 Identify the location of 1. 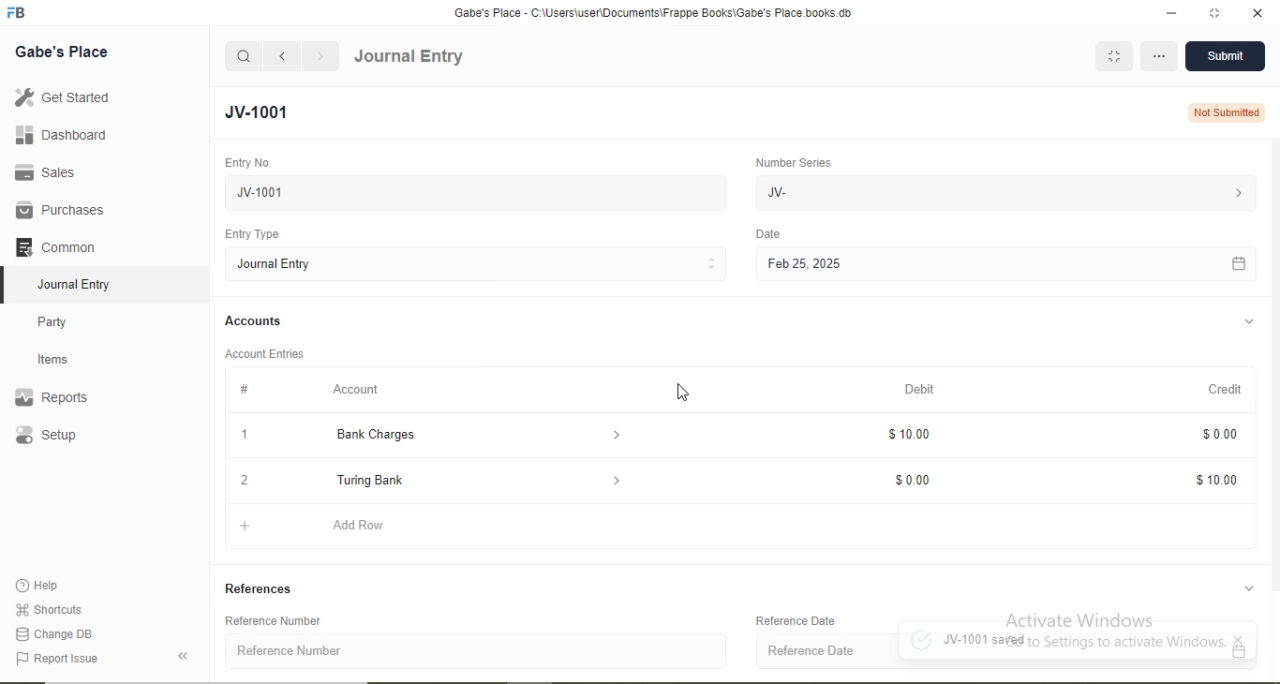
(242, 434).